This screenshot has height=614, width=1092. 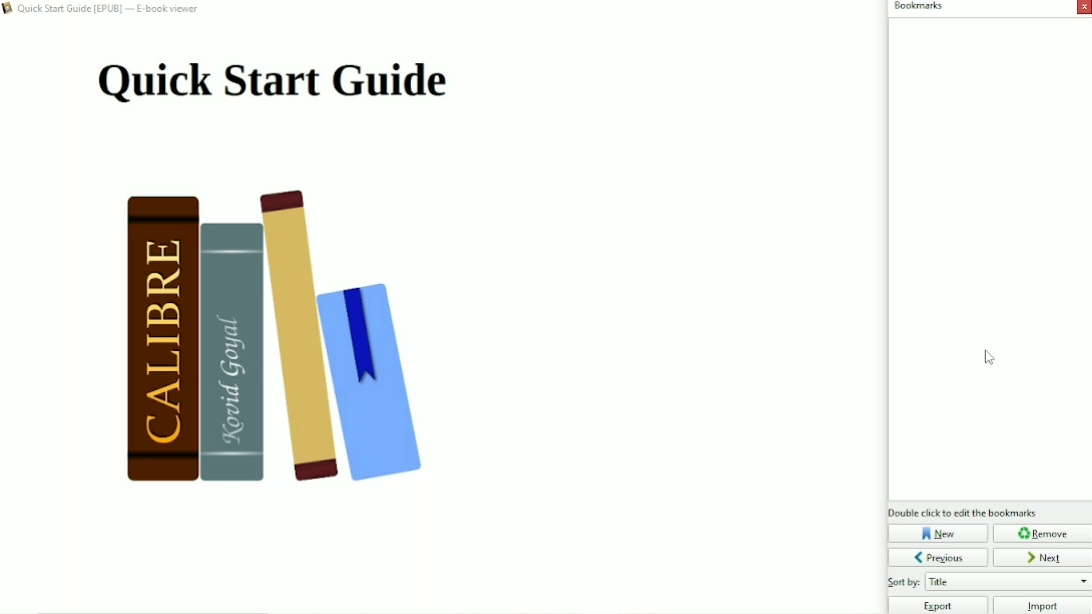 What do you see at coordinates (278, 86) in the screenshot?
I see `Title` at bounding box center [278, 86].